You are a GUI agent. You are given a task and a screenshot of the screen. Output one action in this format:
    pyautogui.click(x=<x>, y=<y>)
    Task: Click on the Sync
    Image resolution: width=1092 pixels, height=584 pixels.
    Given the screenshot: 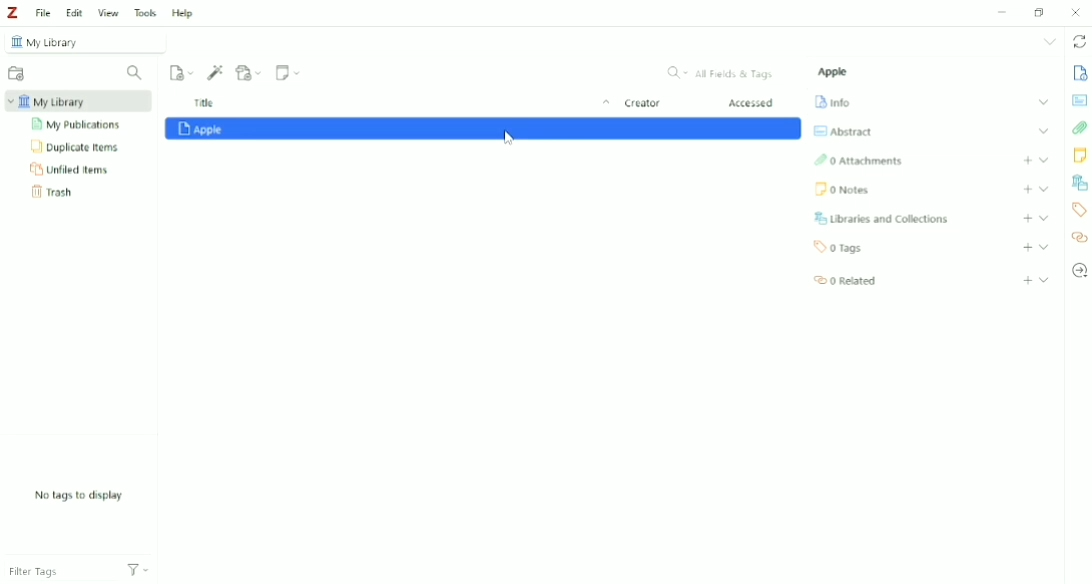 What is the action you would take?
    pyautogui.click(x=1078, y=42)
    